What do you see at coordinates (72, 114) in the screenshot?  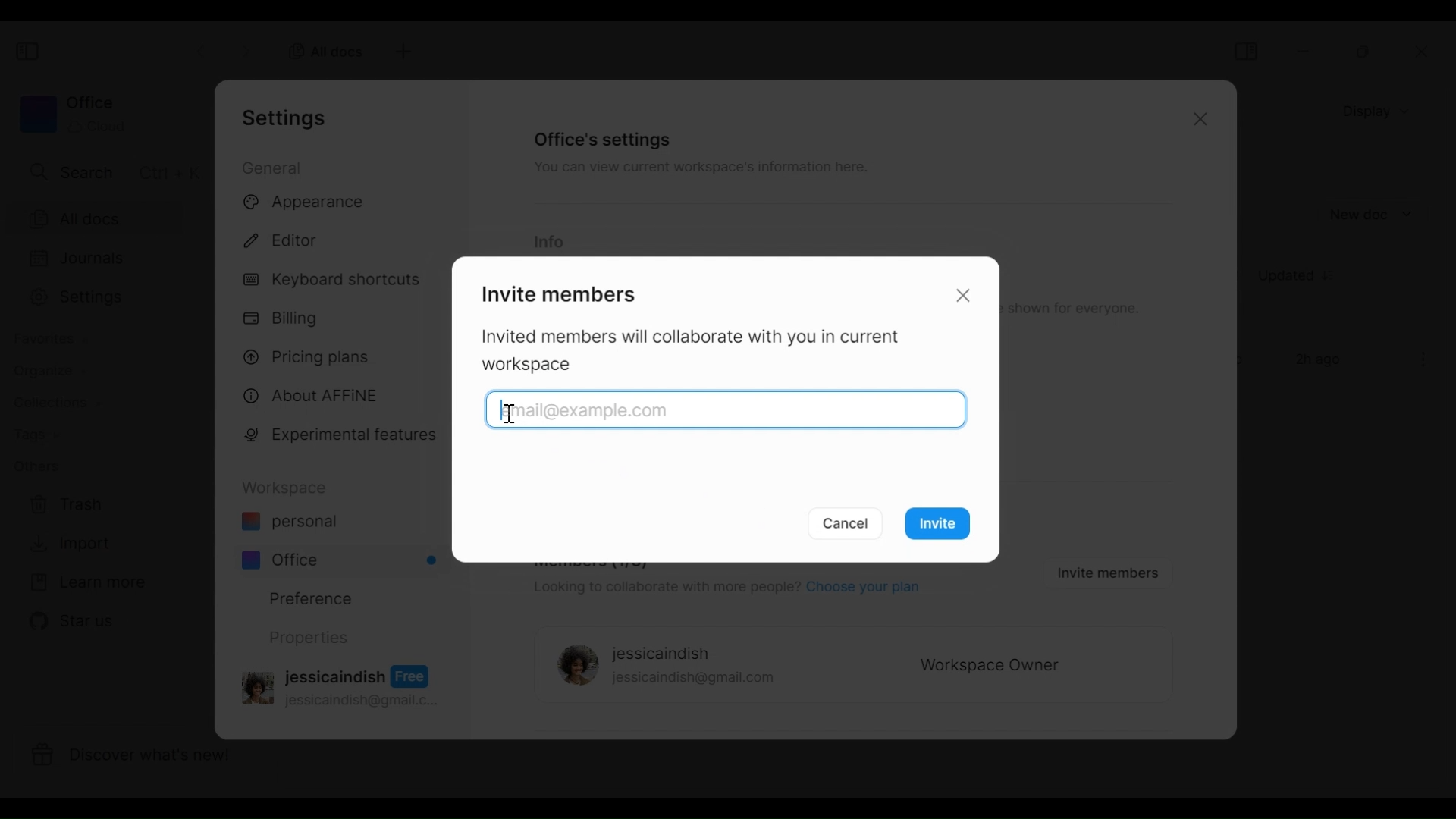 I see `Workspace icon` at bounding box center [72, 114].